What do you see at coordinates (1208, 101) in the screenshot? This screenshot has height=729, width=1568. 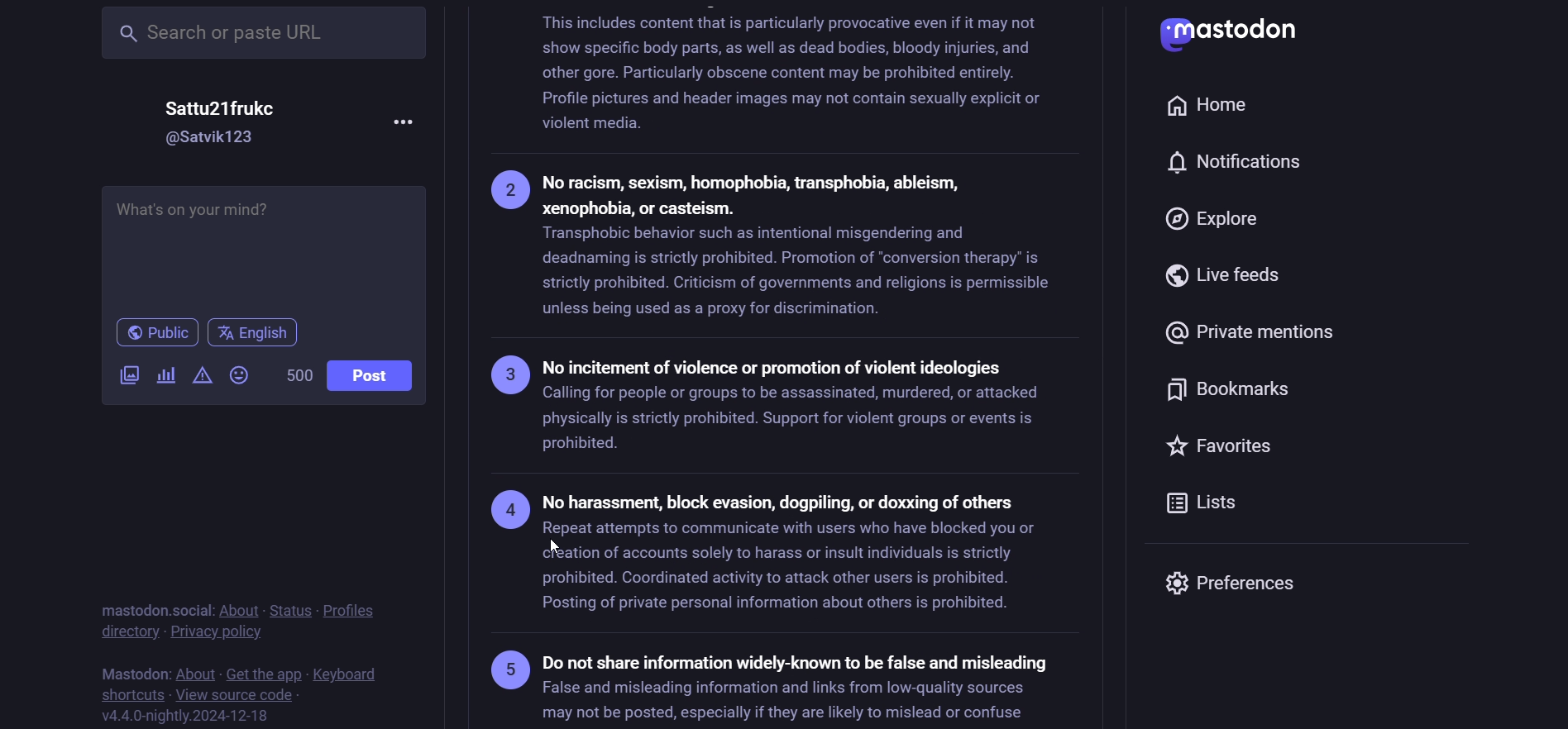 I see `home` at bounding box center [1208, 101].